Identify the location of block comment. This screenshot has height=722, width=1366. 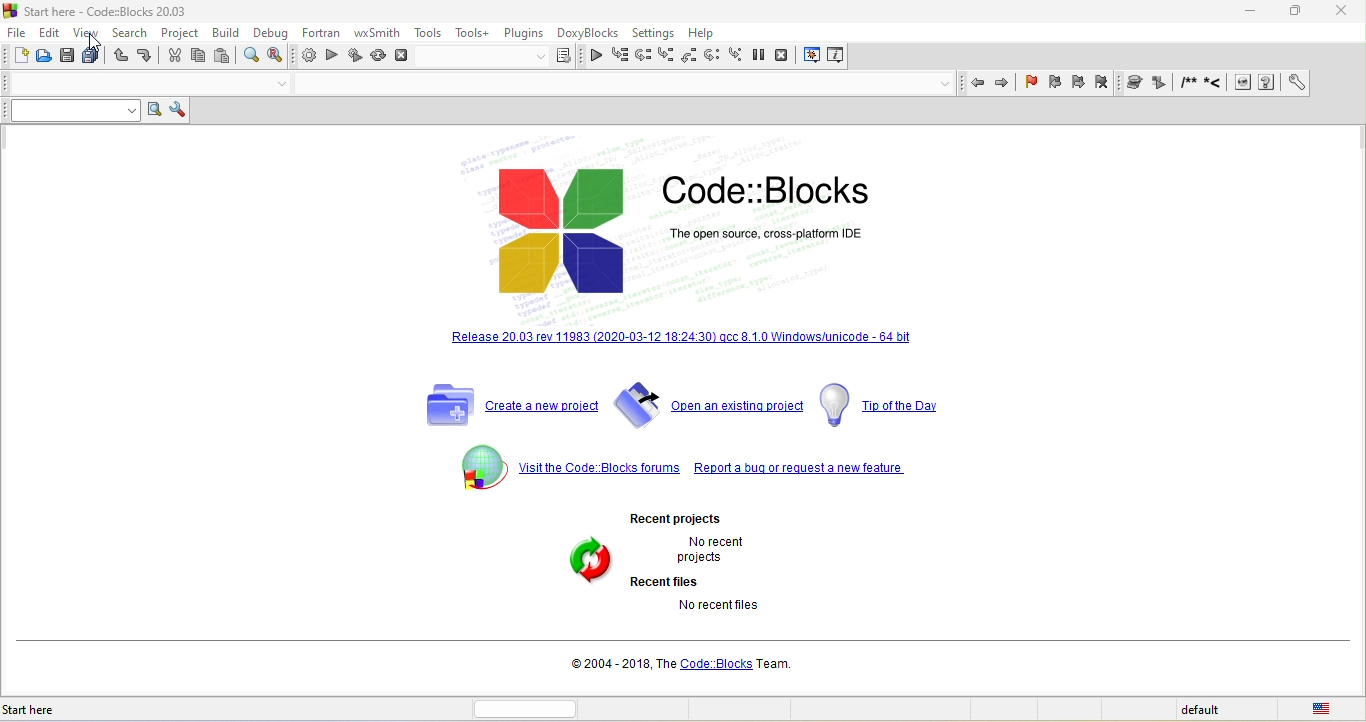
(1189, 85).